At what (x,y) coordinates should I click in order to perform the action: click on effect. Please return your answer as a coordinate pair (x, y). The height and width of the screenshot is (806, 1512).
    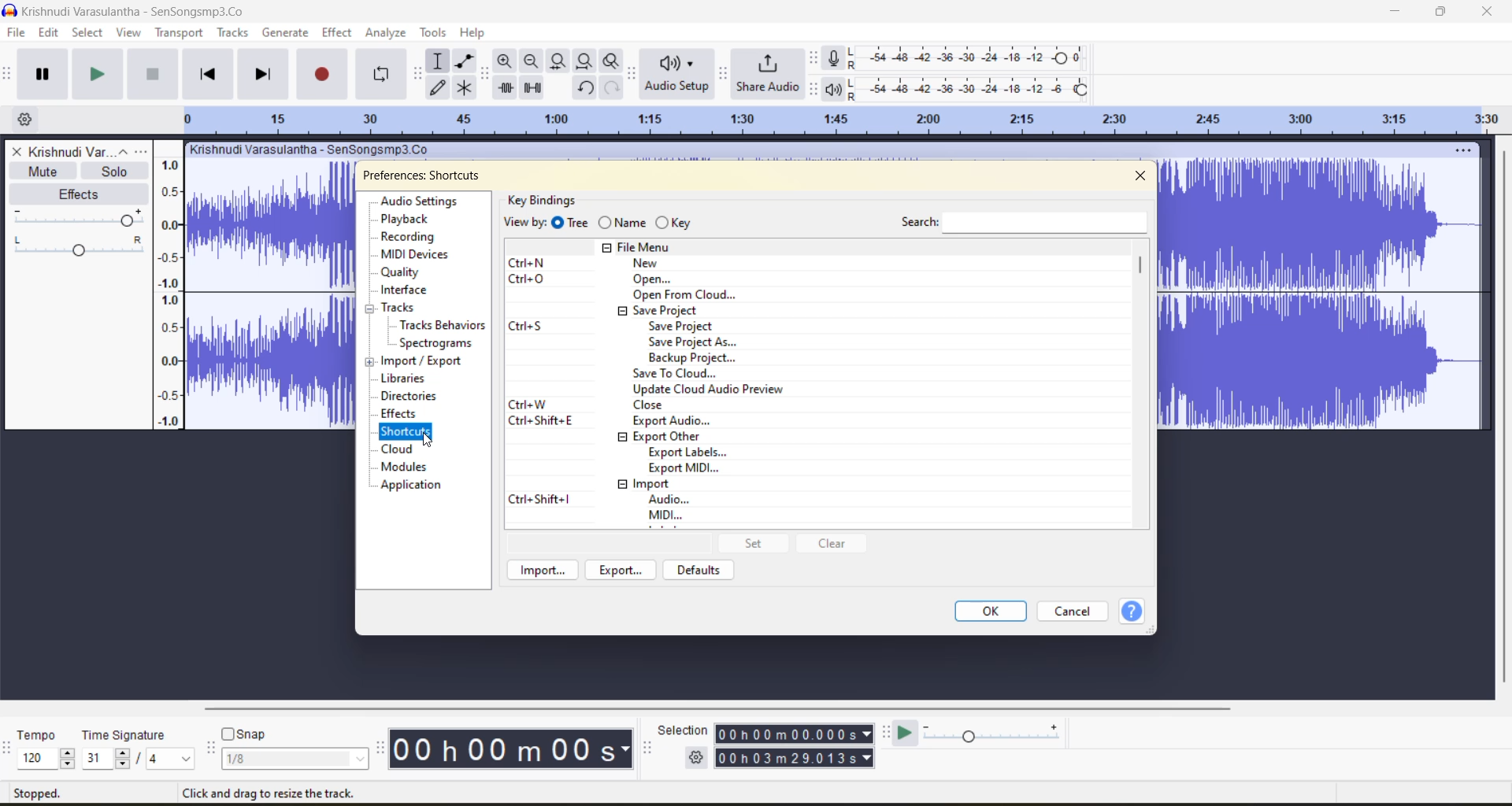
    Looking at the image, I should click on (338, 33).